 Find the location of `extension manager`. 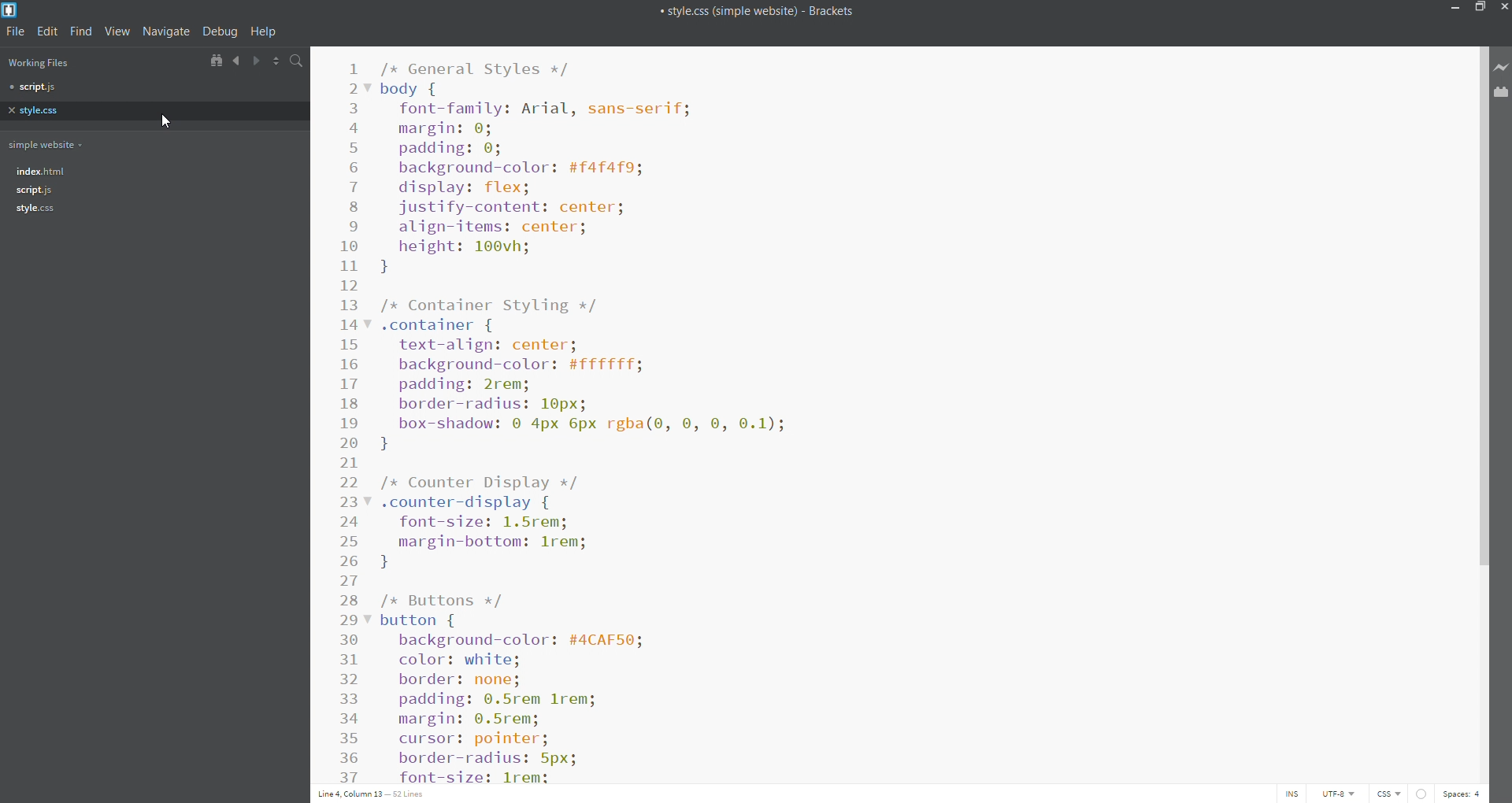

extension manager is located at coordinates (1499, 93).